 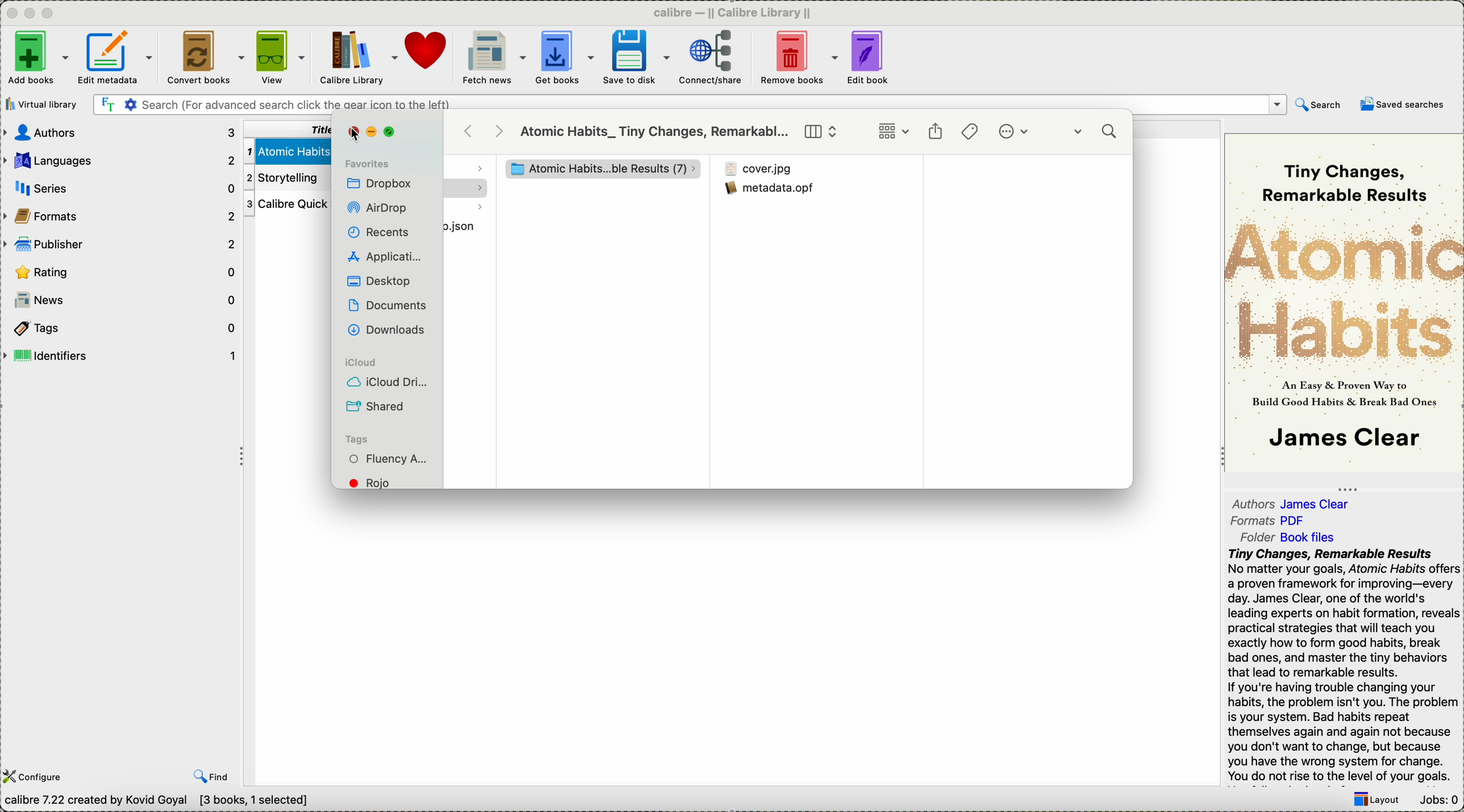 I want to click on authors, so click(x=121, y=132).